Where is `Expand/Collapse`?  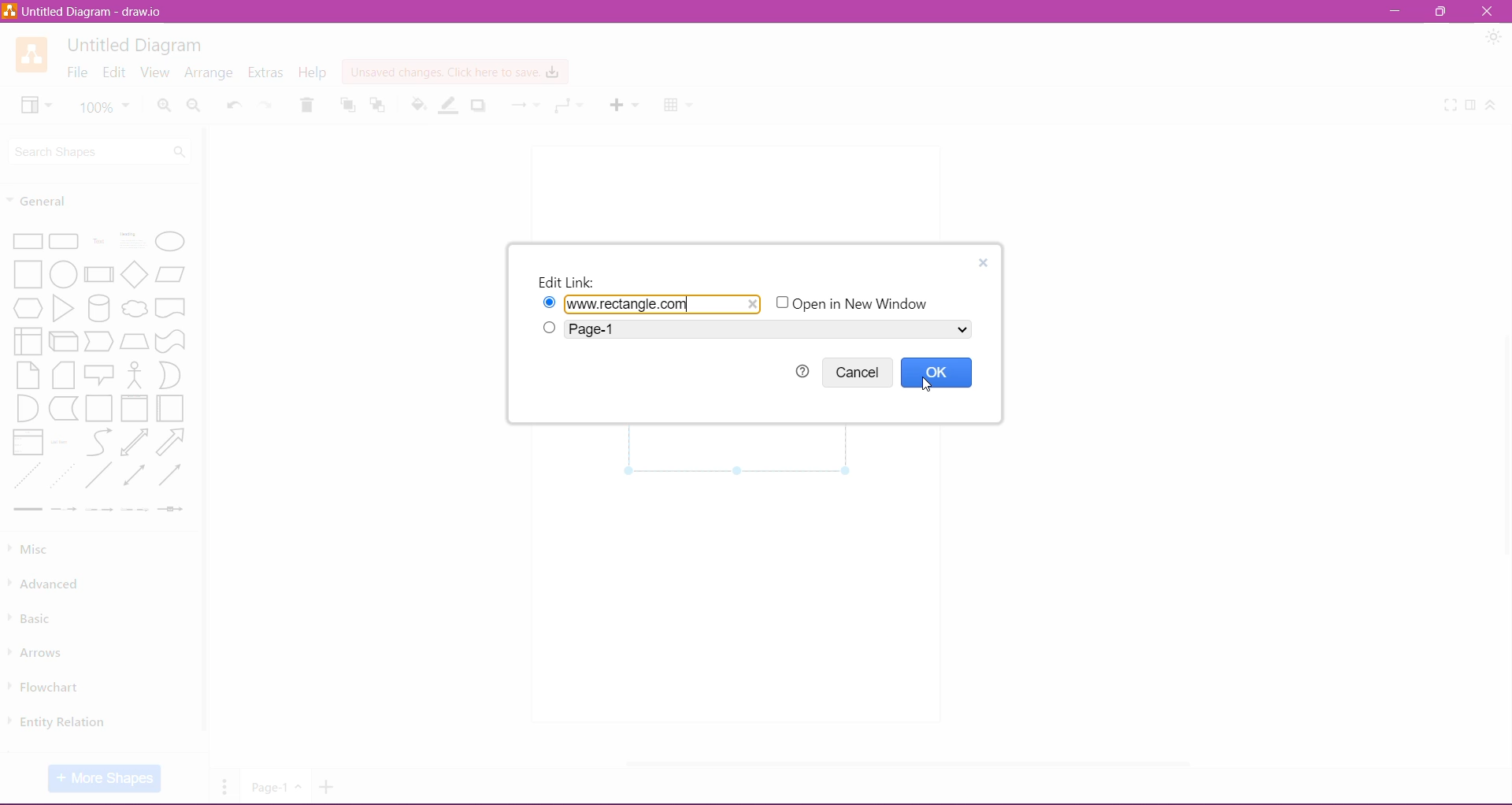
Expand/Collapse is located at coordinates (1491, 106).